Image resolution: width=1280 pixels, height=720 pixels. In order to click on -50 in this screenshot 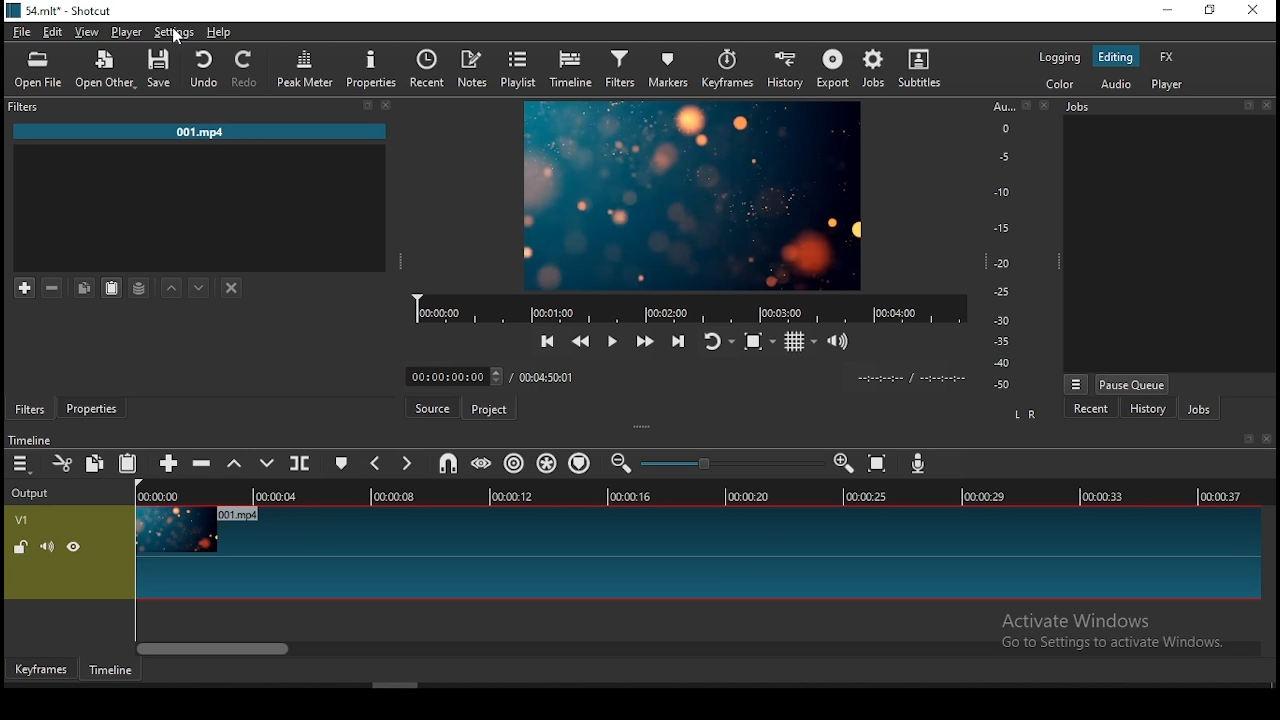, I will do `click(1002, 385)`.